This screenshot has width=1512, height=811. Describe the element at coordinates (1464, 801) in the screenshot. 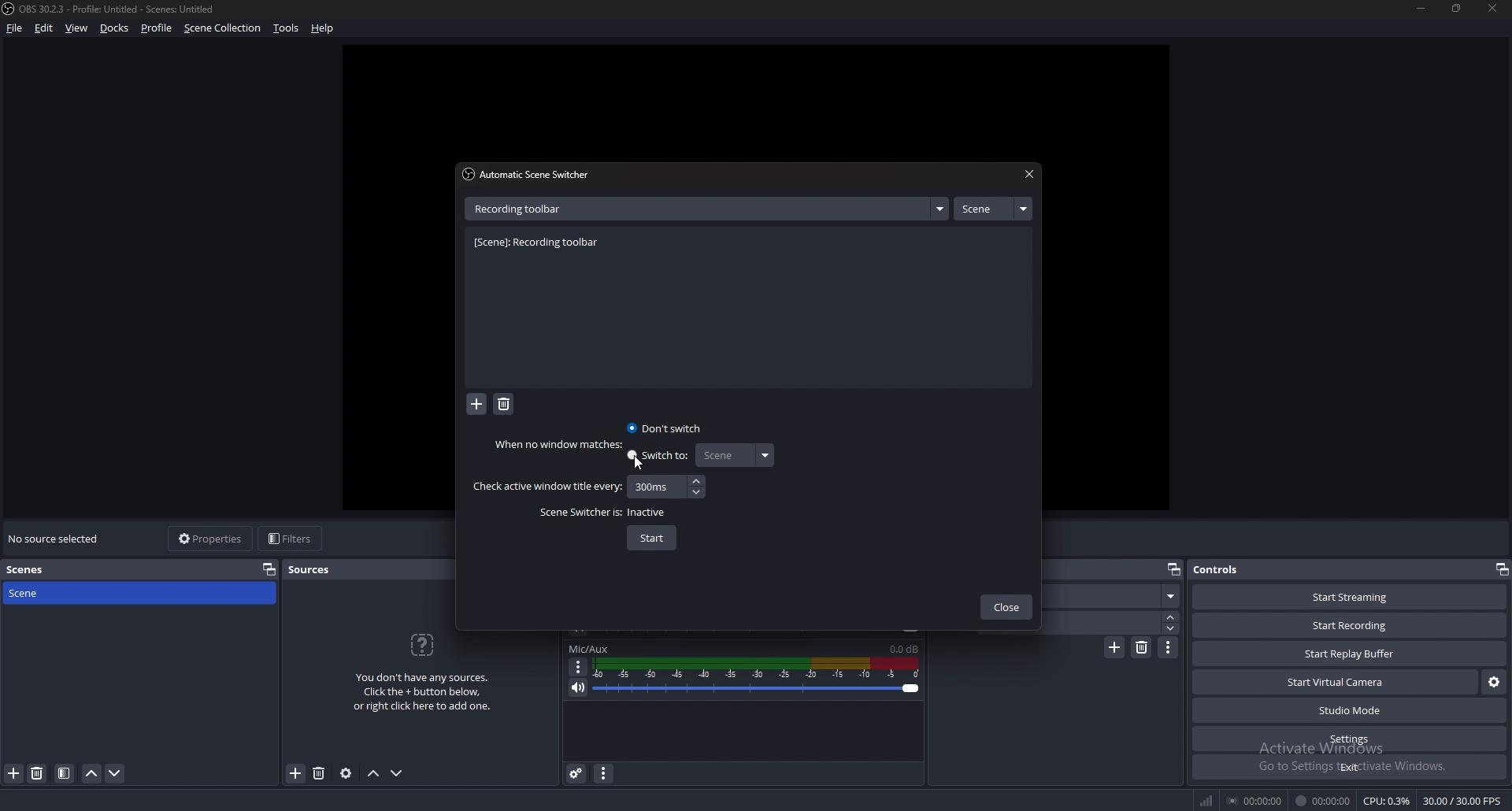

I see `fps` at that location.